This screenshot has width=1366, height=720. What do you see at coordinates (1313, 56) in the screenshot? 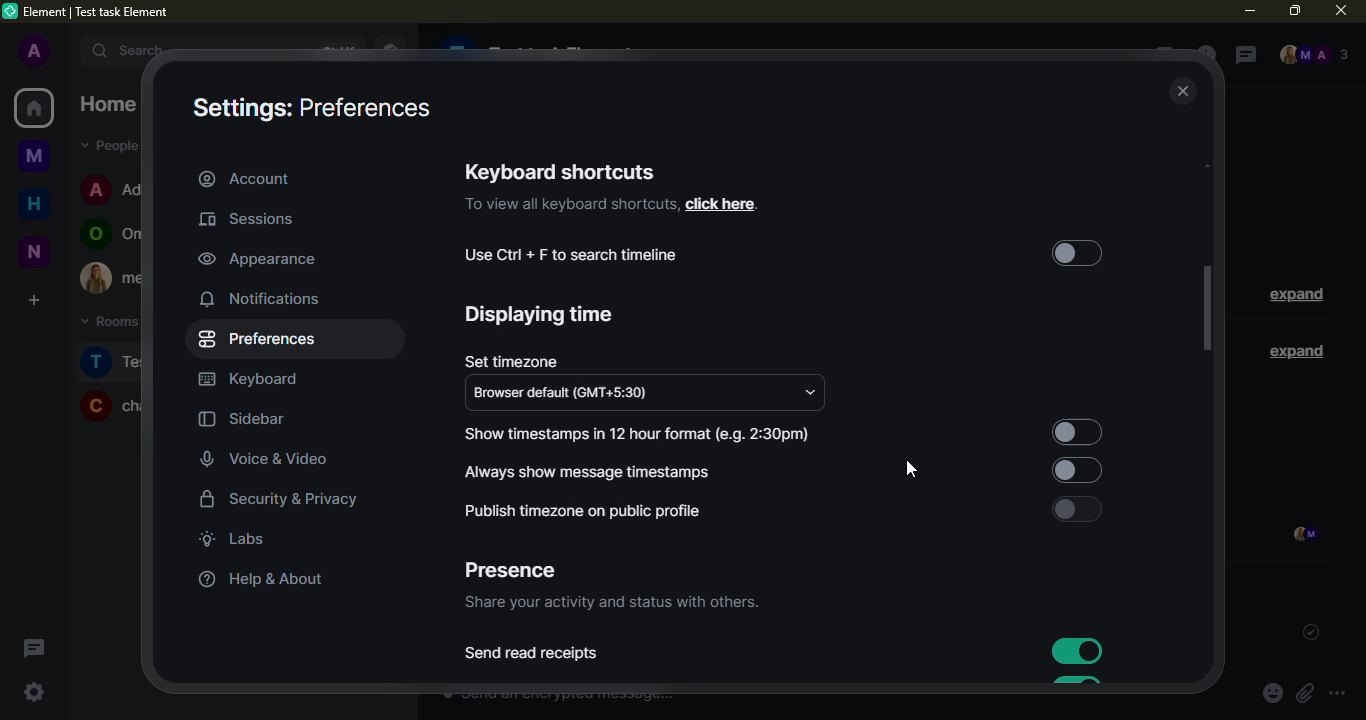
I see `people` at bounding box center [1313, 56].